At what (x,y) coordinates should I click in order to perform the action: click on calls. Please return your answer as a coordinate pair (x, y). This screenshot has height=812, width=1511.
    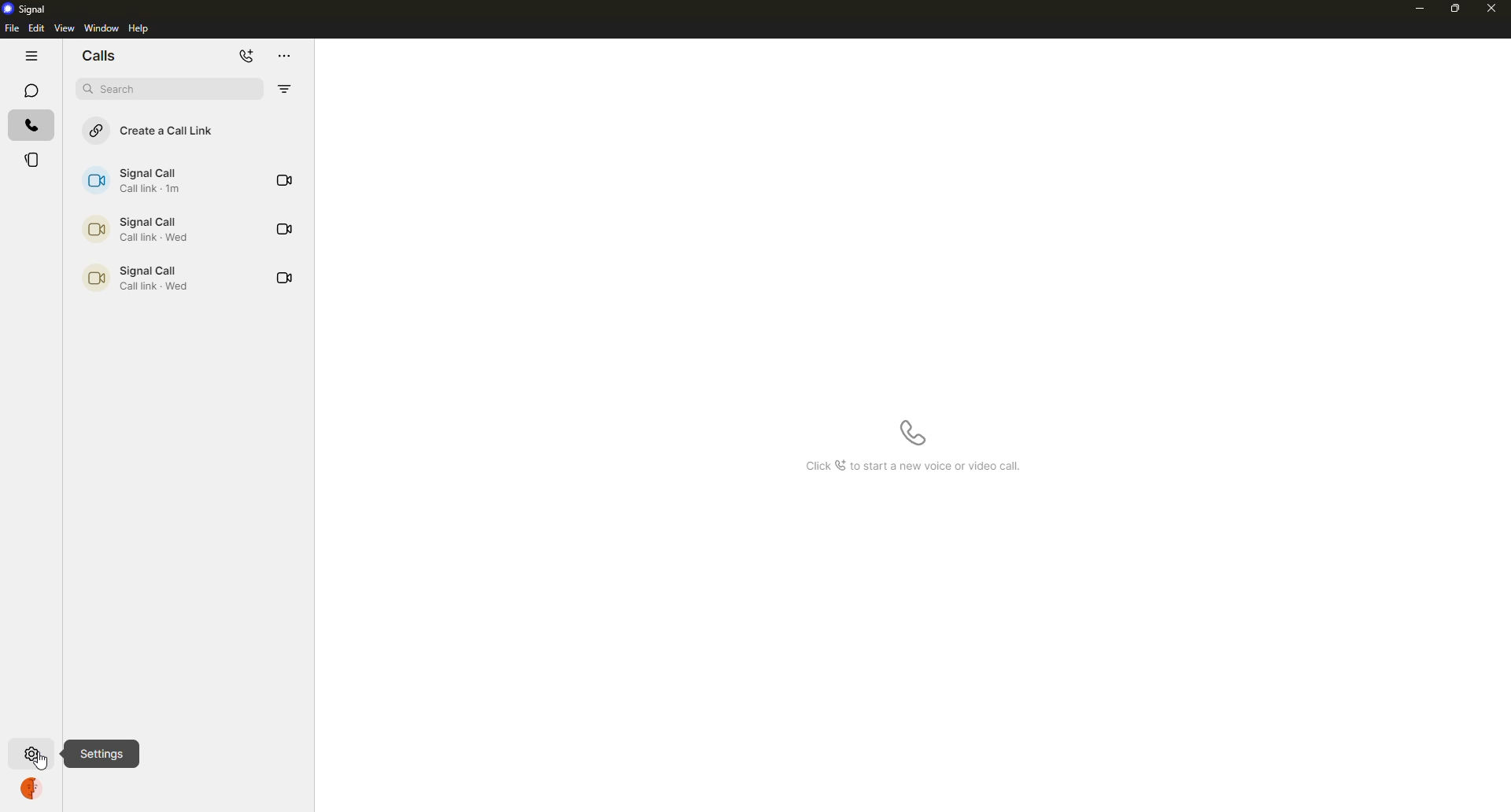
    Looking at the image, I should click on (30, 124).